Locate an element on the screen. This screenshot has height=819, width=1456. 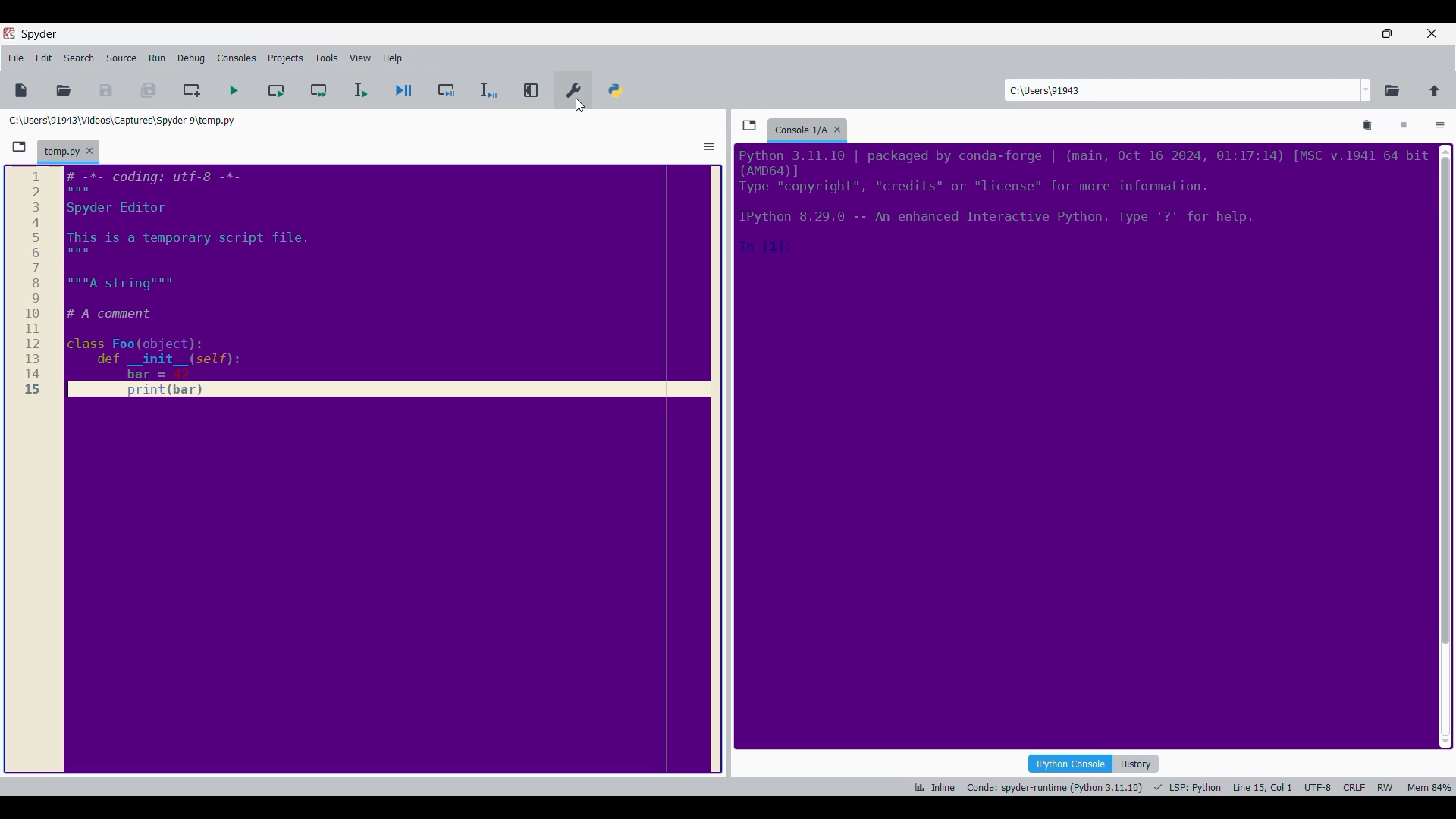
Run selection/current line is located at coordinates (360, 91).